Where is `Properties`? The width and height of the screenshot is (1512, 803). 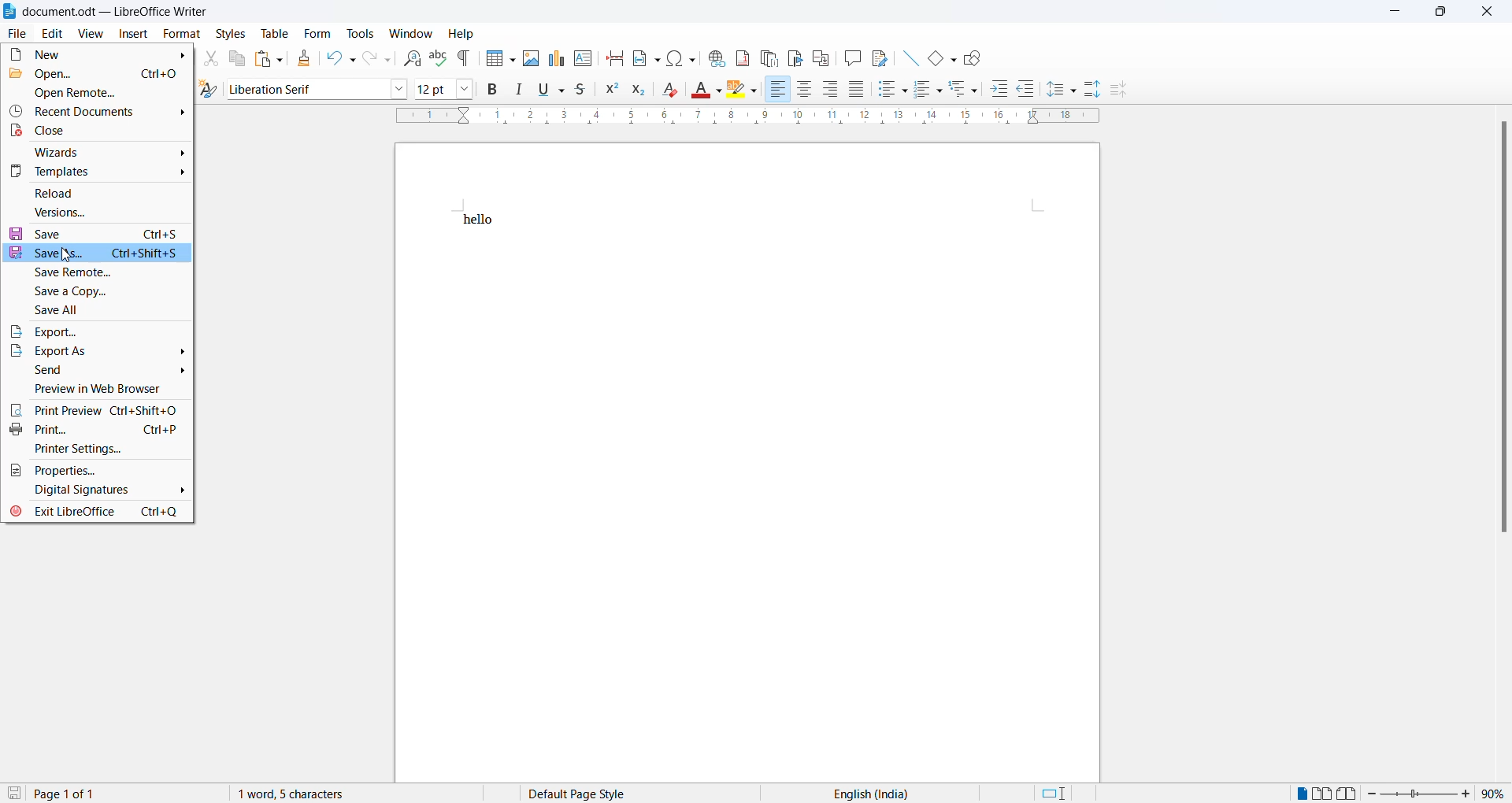 Properties is located at coordinates (94, 469).